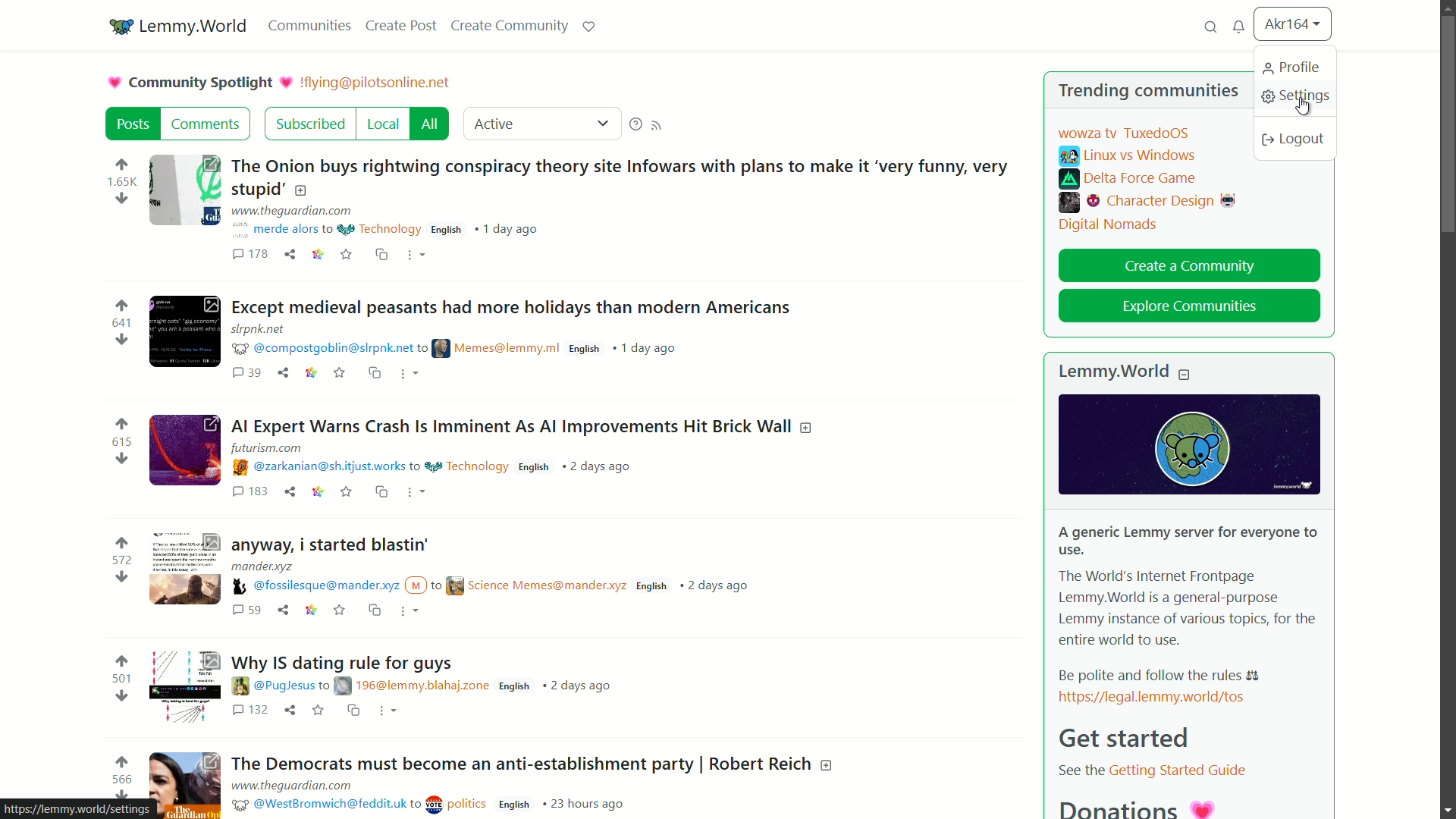  I want to click on link, so click(316, 254).